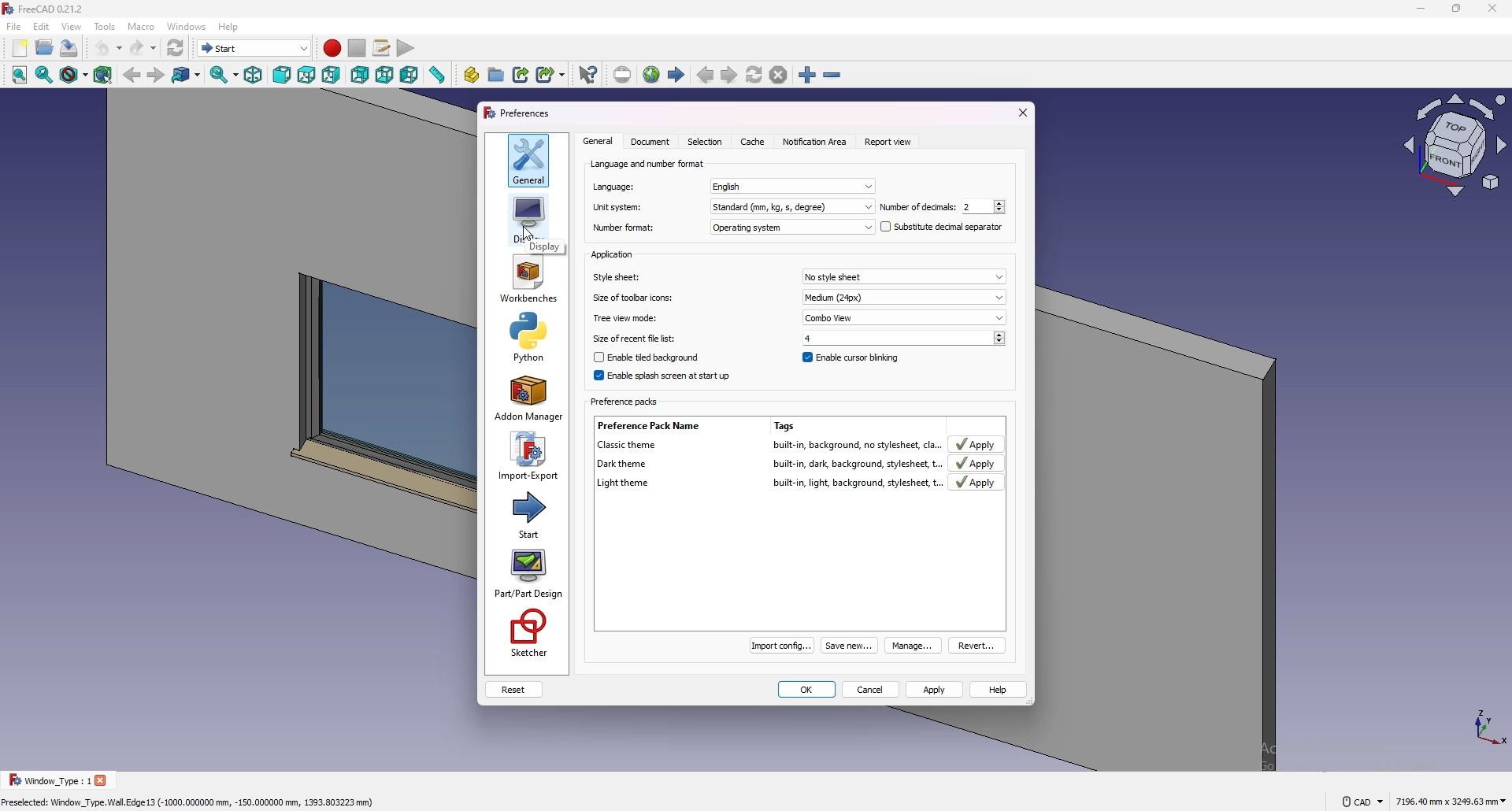  Describe the element at coordinates (791, 185) in the screenshot. I see `english` at that location.